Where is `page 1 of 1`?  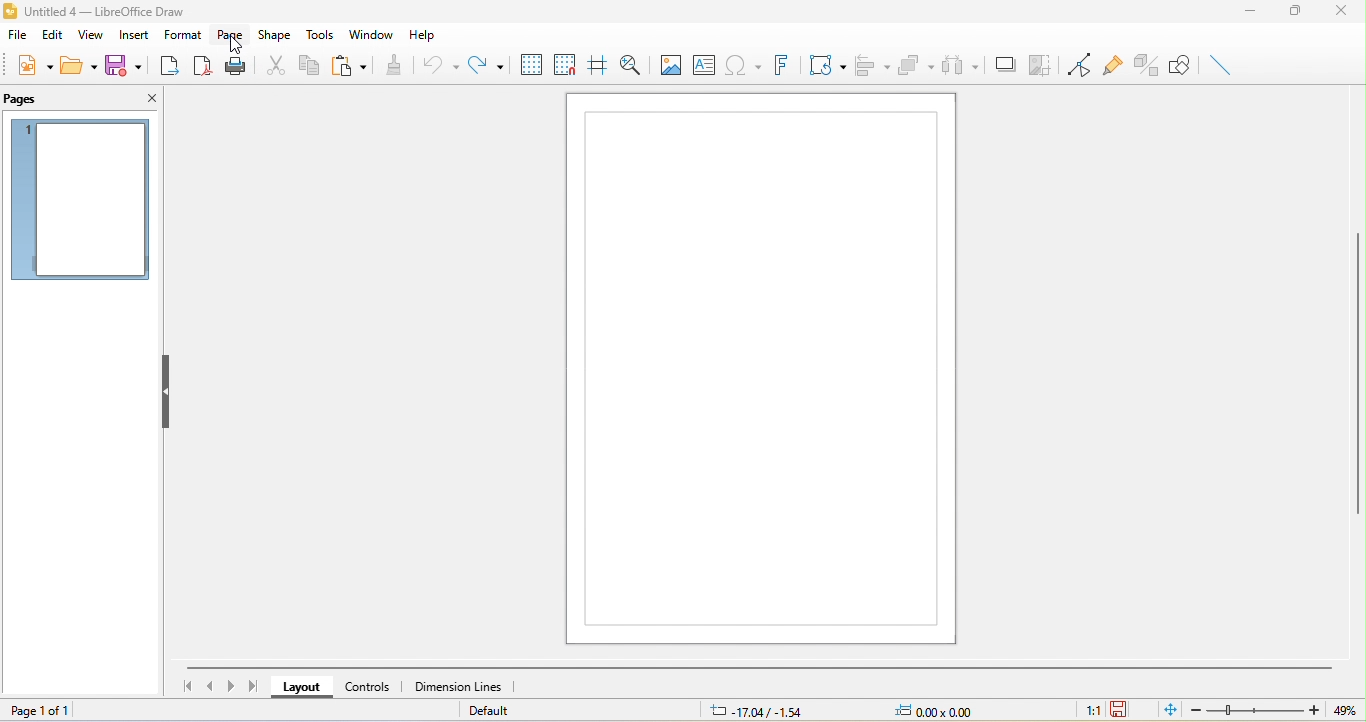 page 1 of 1 is located at coordinates (50, 711).